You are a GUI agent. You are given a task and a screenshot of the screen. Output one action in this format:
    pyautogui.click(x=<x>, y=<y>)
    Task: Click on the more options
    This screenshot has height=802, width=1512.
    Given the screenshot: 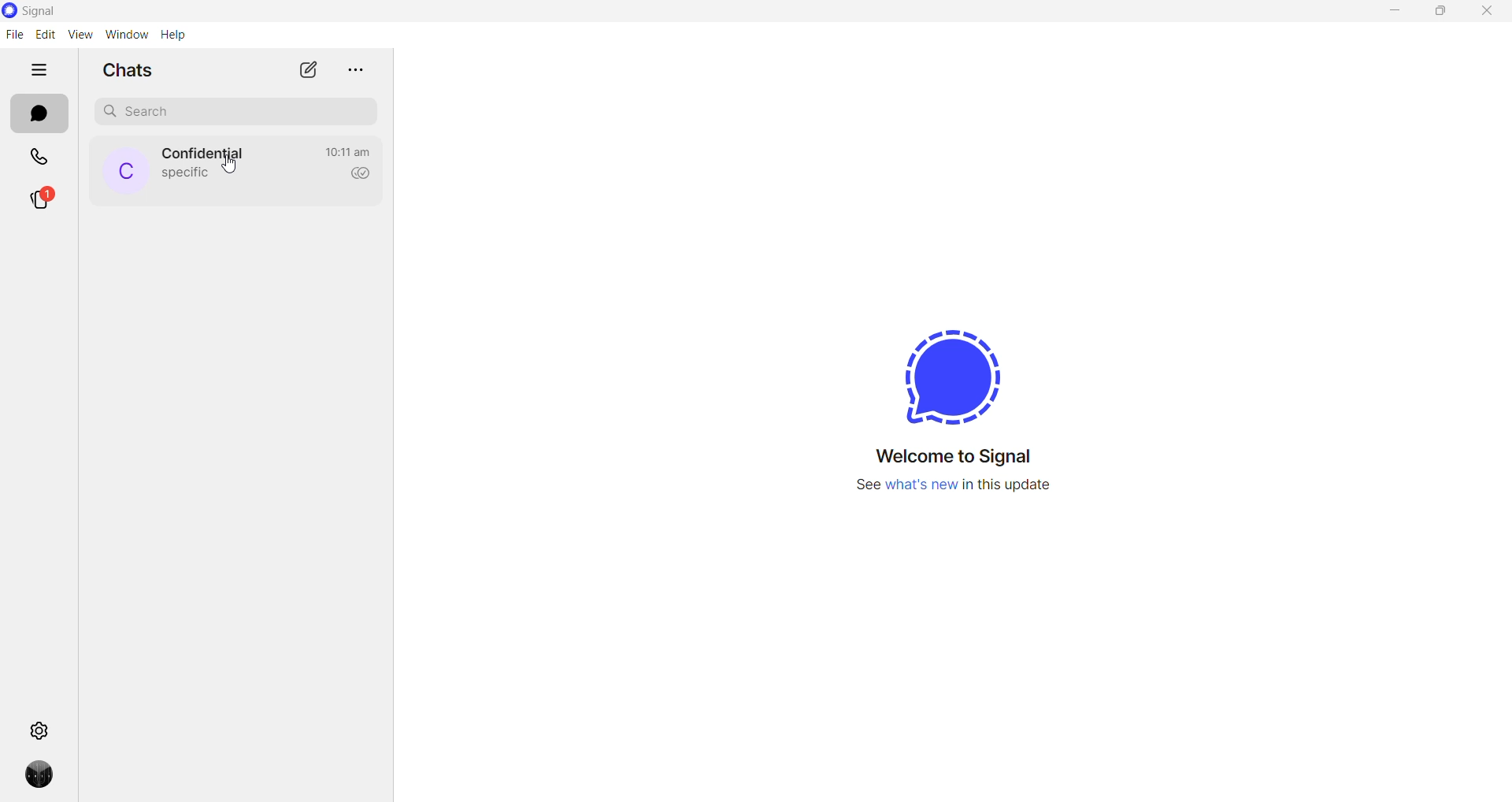 What is the action you would take?
    pyautogui.click(x=357, y=69)
    